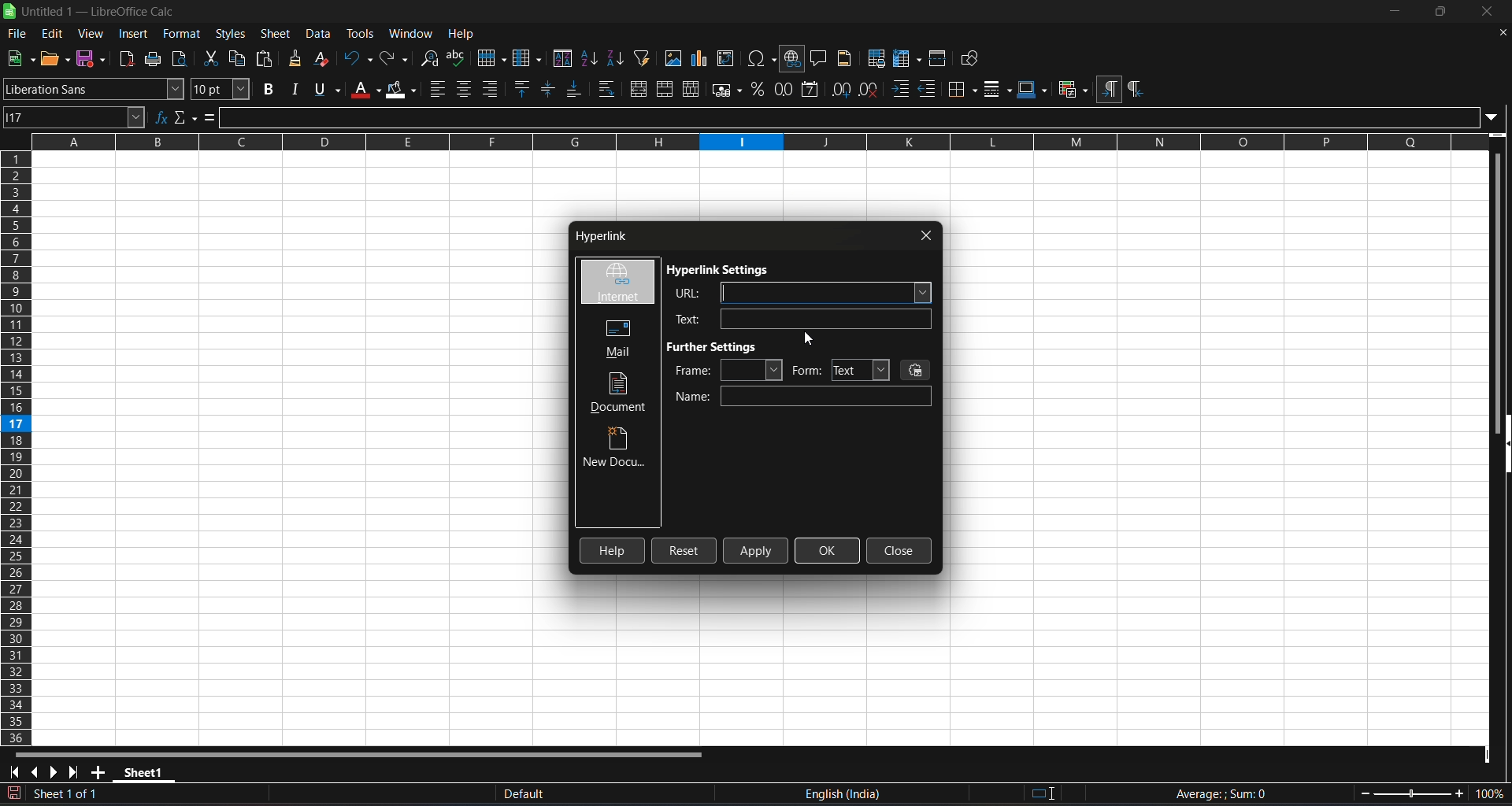 Image resolution: width=1512 pixels, height=806 pixels. I want to click on column, so click(529, 57).